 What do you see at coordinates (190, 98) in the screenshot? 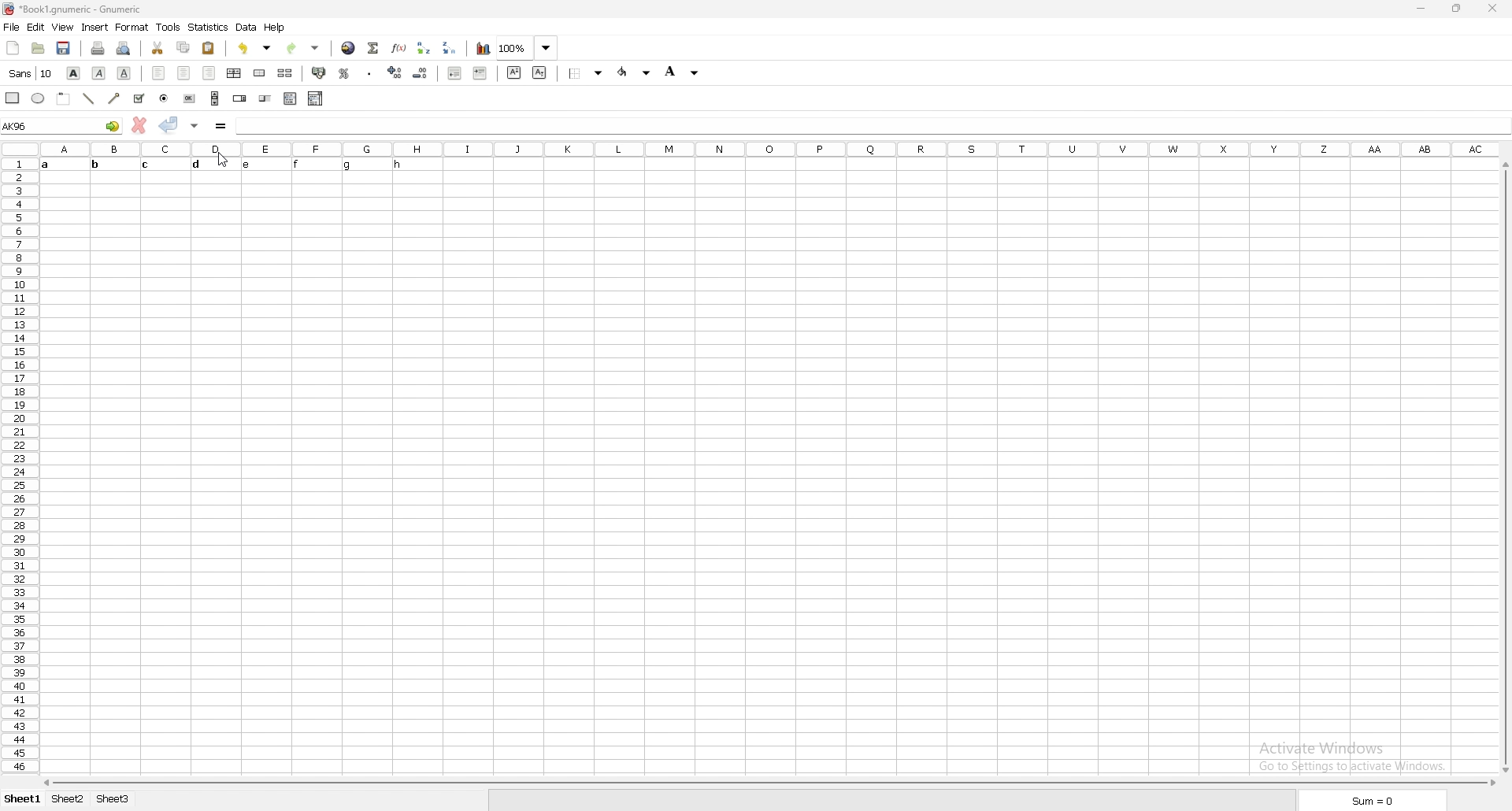
I see `button` at bounding box center [190, 98].